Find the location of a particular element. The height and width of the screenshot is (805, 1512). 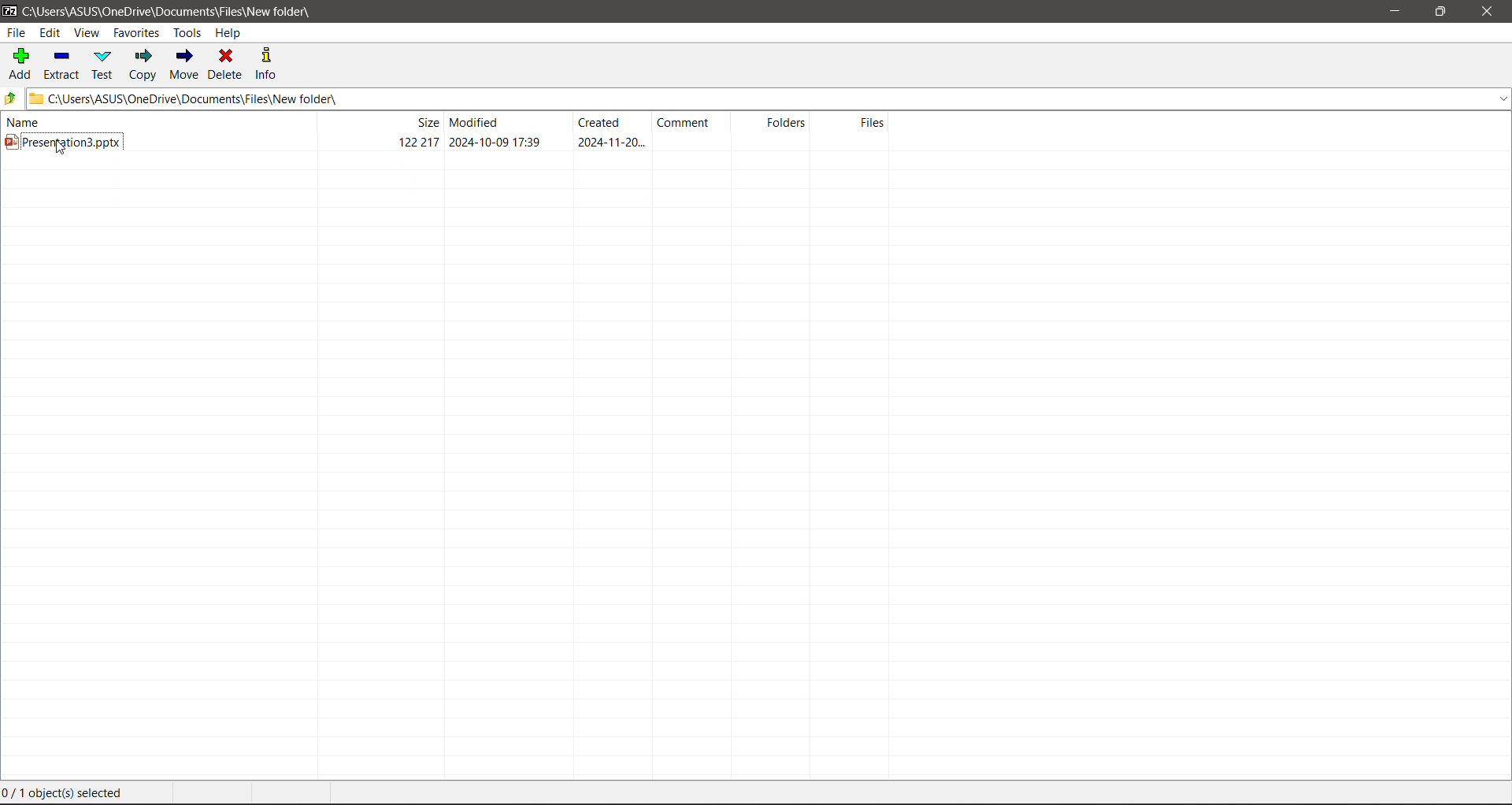

Name is located at coordinates (150, 122).